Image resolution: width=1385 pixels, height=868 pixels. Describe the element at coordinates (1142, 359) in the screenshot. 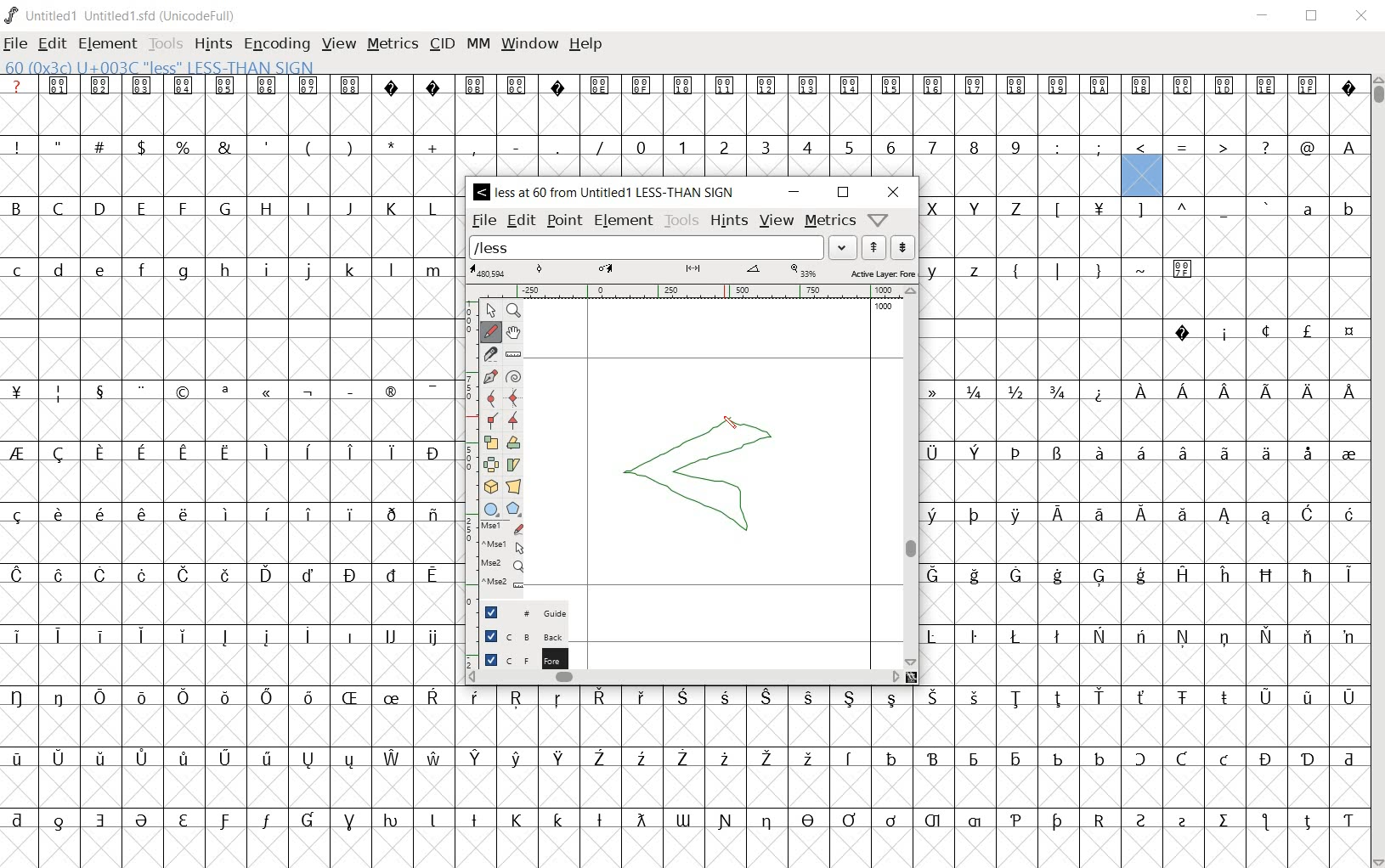

I see `empty cells` at that location.